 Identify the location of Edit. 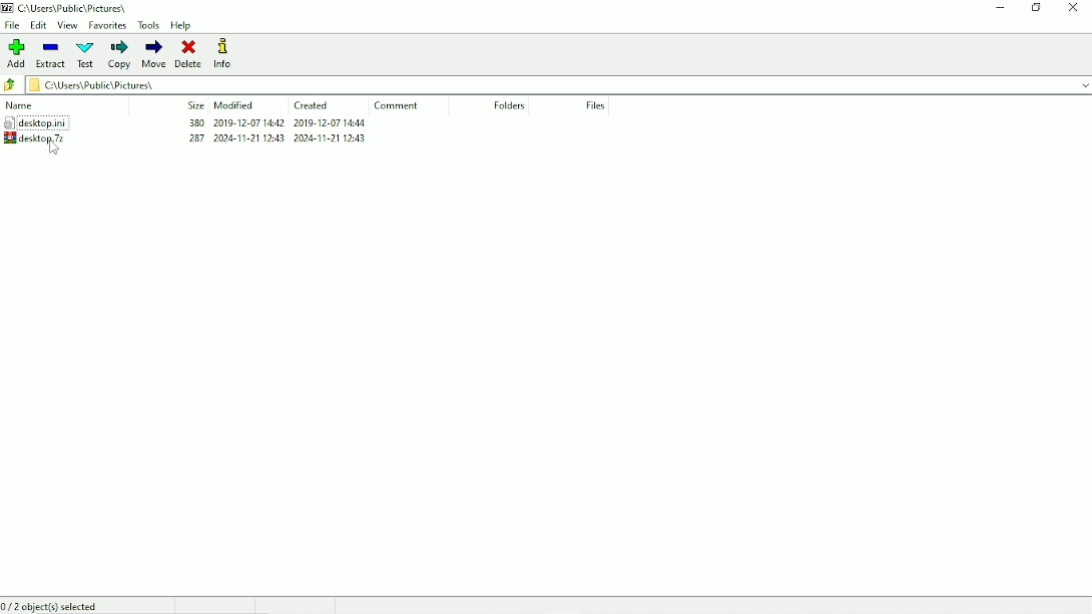
(39, 25).